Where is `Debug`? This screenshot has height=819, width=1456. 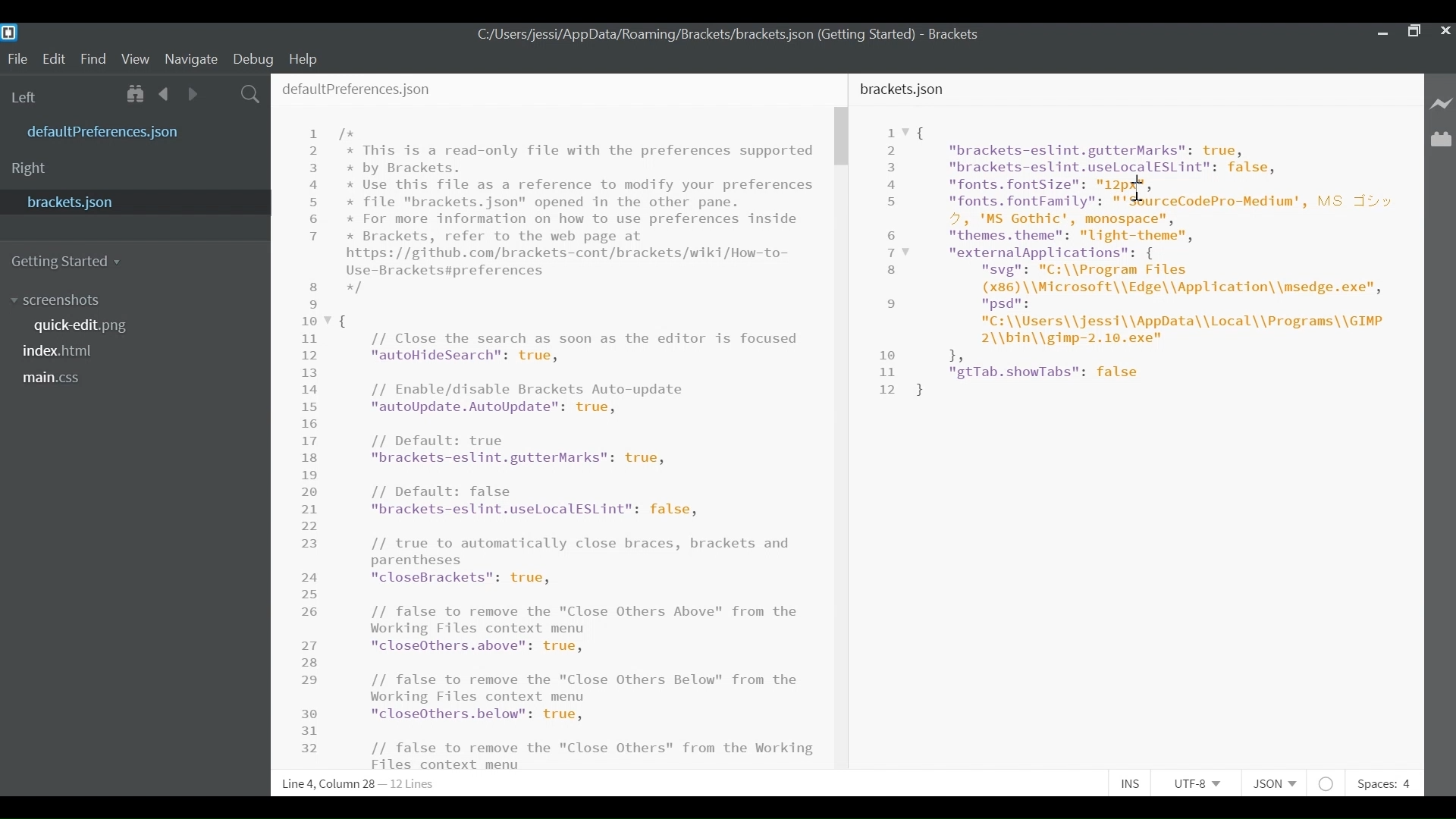
Debug is located at coordinates (253, 58).